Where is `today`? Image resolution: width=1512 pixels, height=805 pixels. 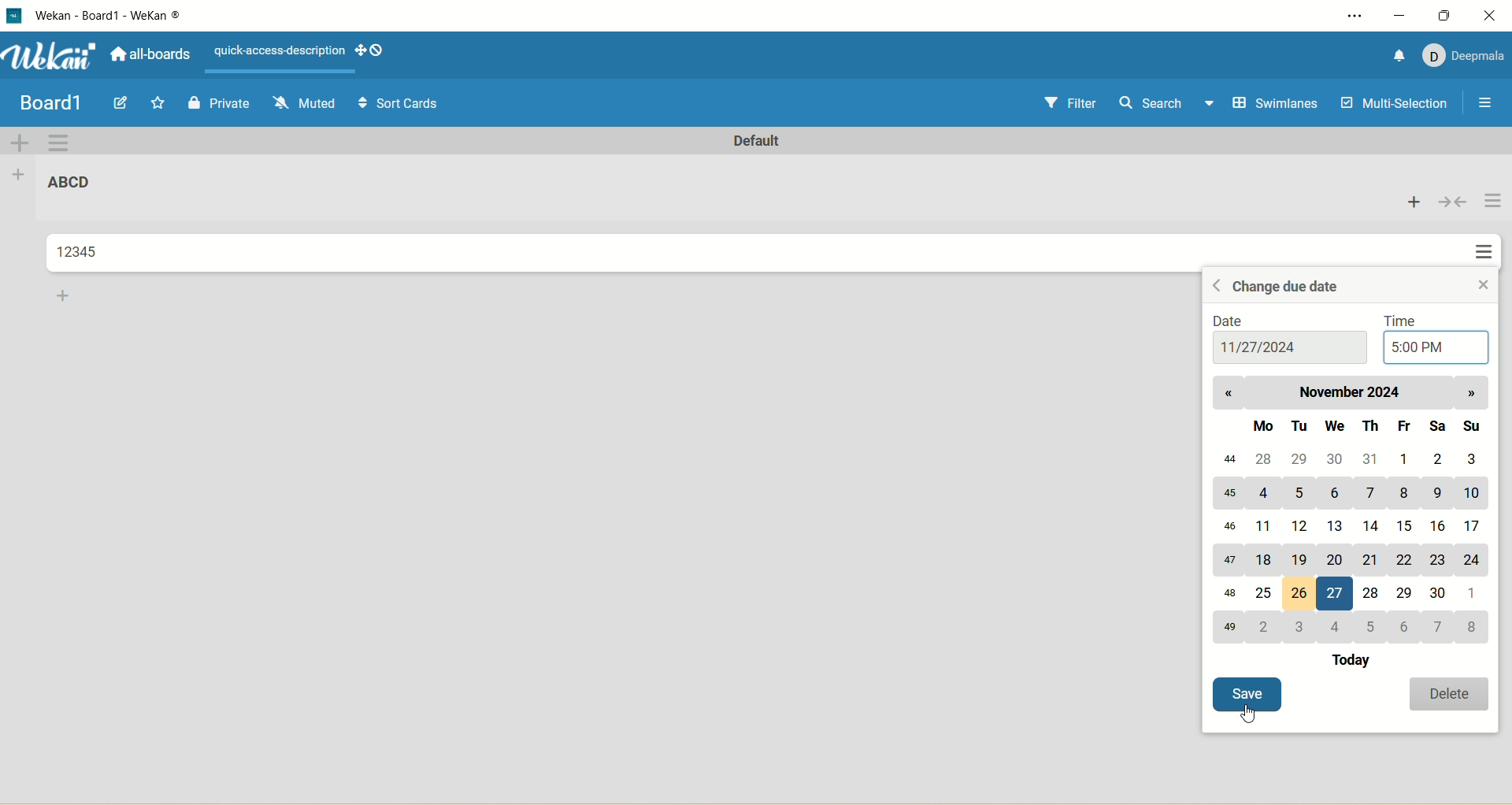
today is located at coordinates (1358, 662).